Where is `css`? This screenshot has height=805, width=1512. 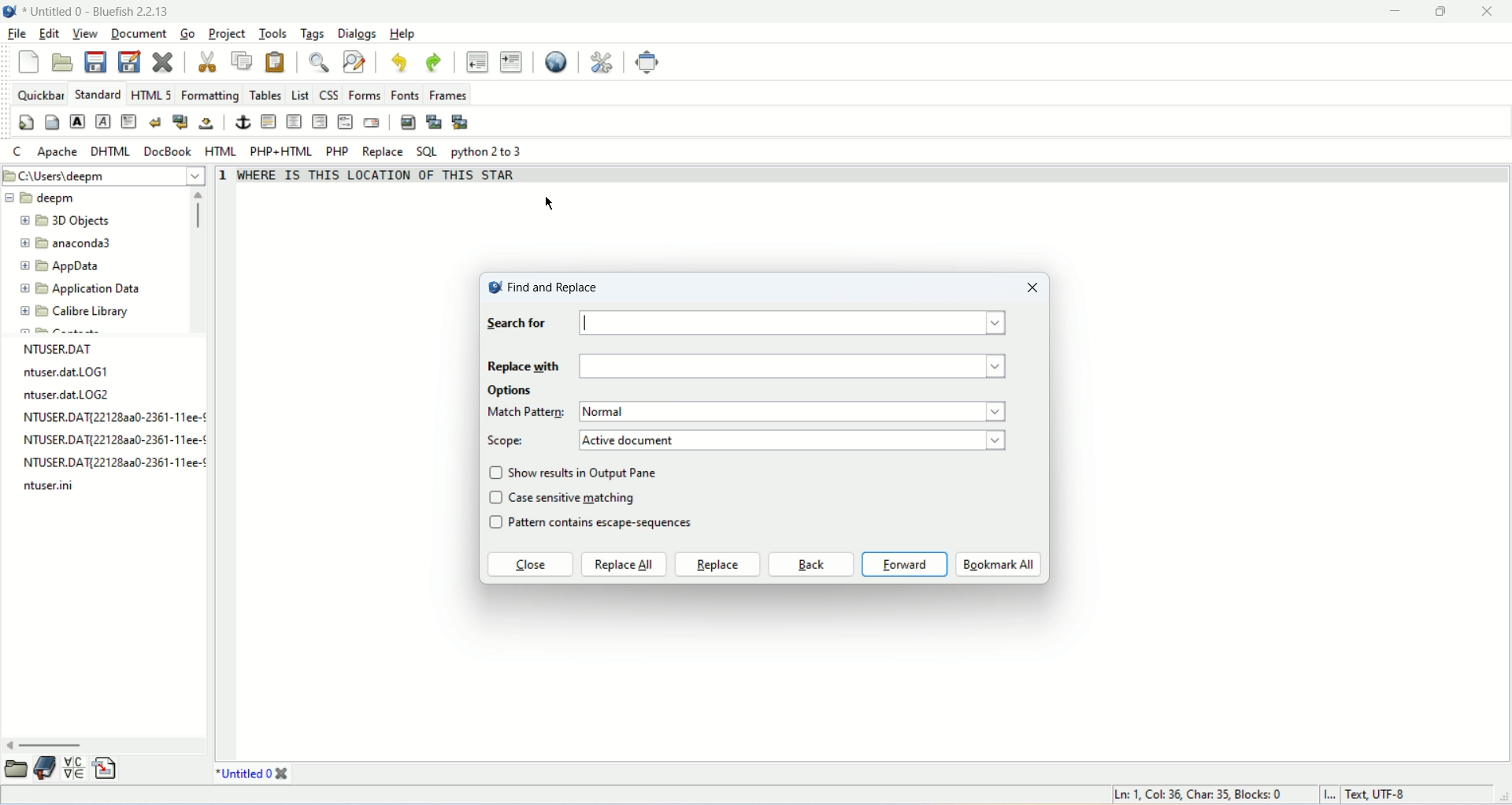 css is located at coordinates (328, 95).